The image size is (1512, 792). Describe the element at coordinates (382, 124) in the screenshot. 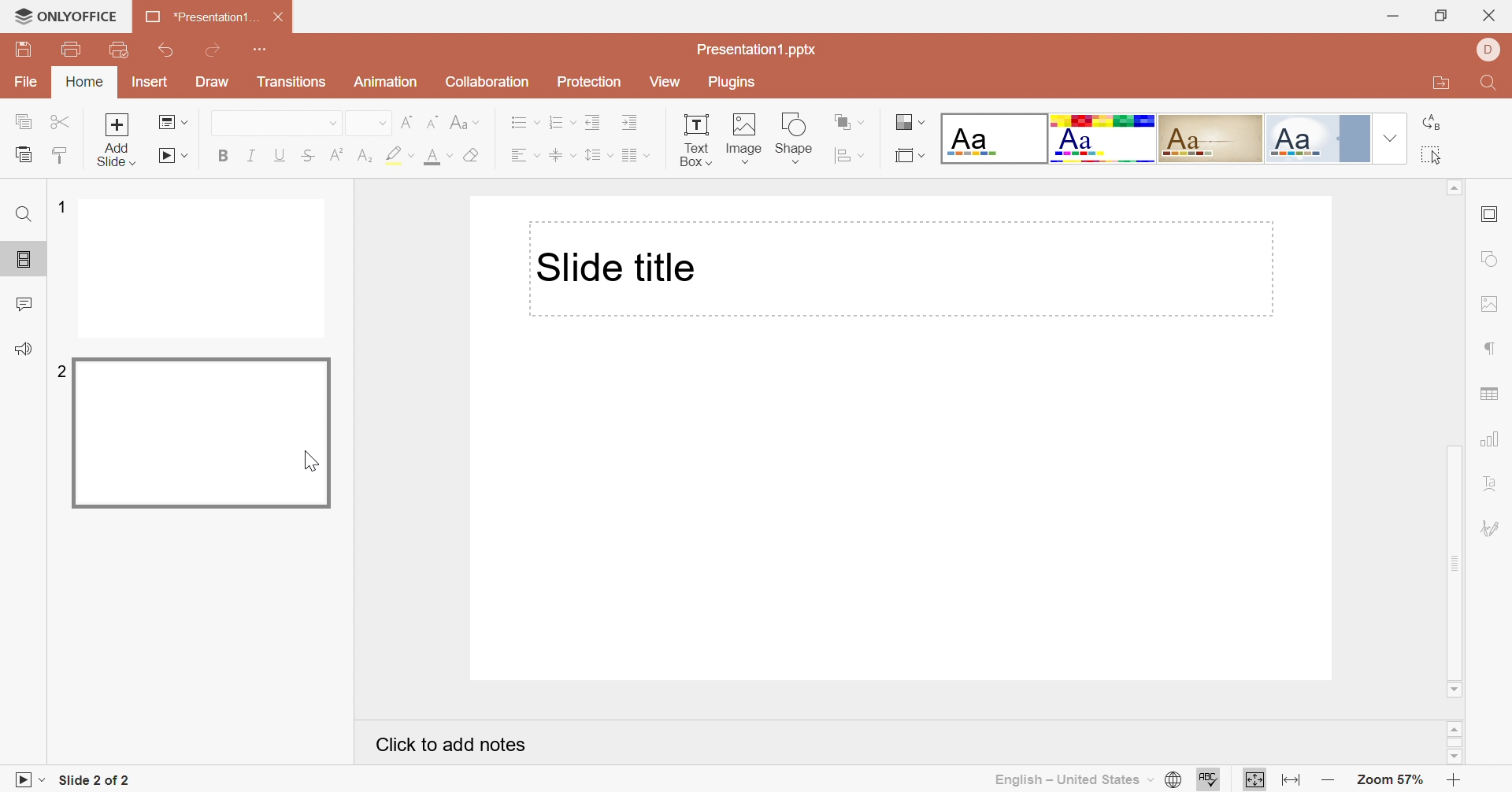

I see `Drop Down` at that location.